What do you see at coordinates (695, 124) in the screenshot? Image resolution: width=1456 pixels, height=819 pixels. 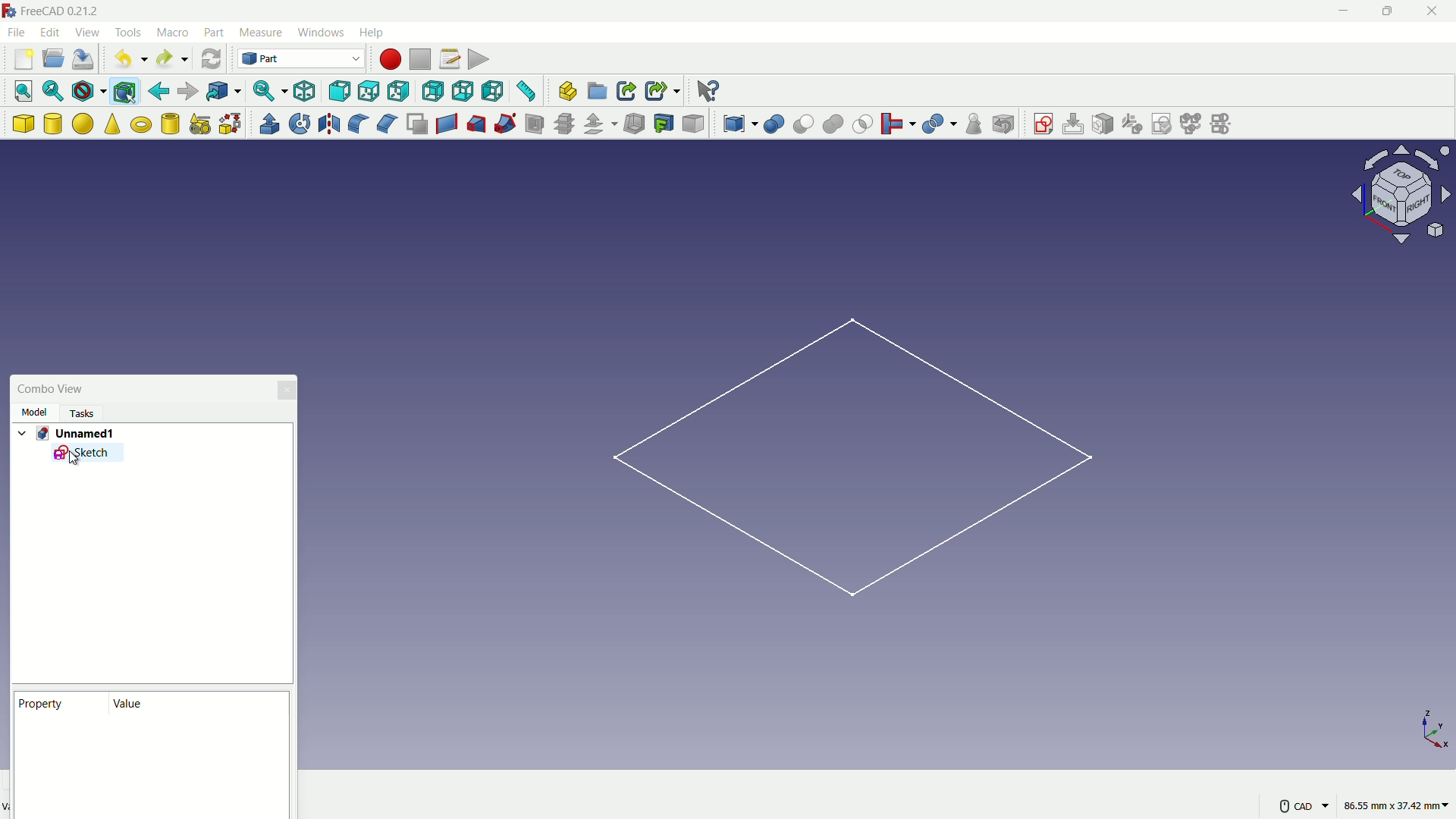 I see `color per face` at bounding box center [695, 124].